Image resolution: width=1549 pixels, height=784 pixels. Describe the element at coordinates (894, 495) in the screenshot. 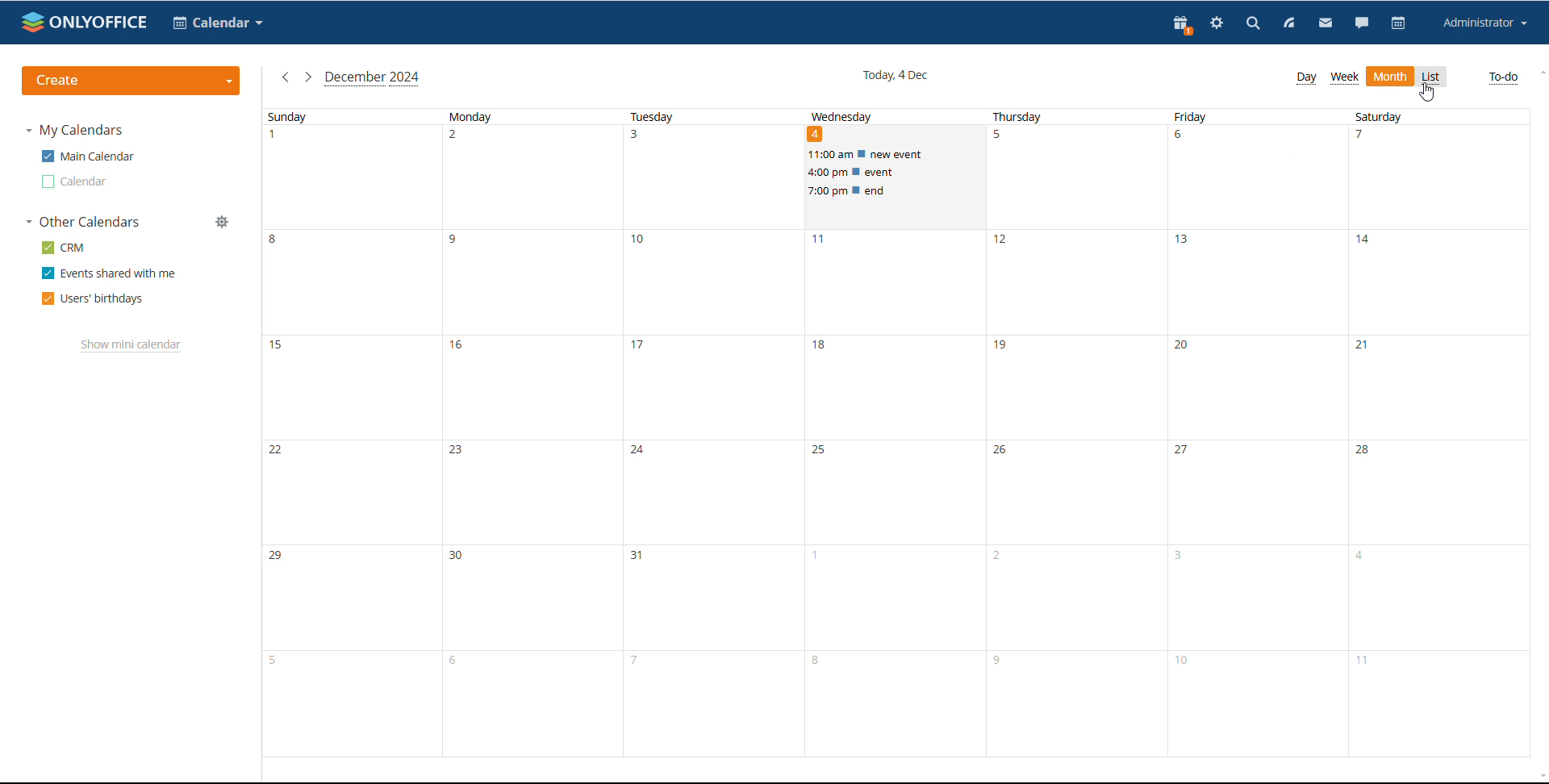

I see `wednesday` at that location.